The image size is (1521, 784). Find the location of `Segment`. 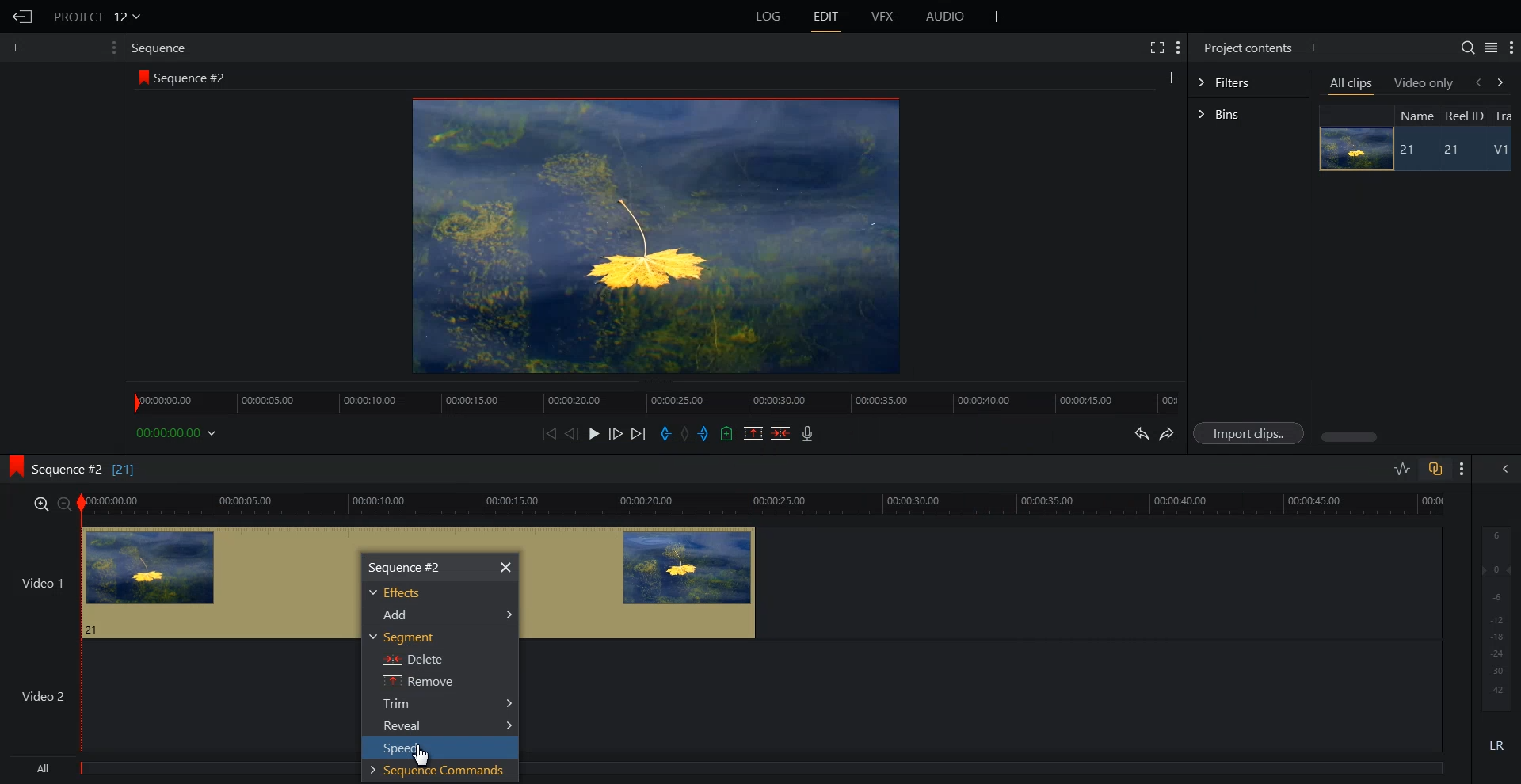

Segment is located at coordinates (403, 637).